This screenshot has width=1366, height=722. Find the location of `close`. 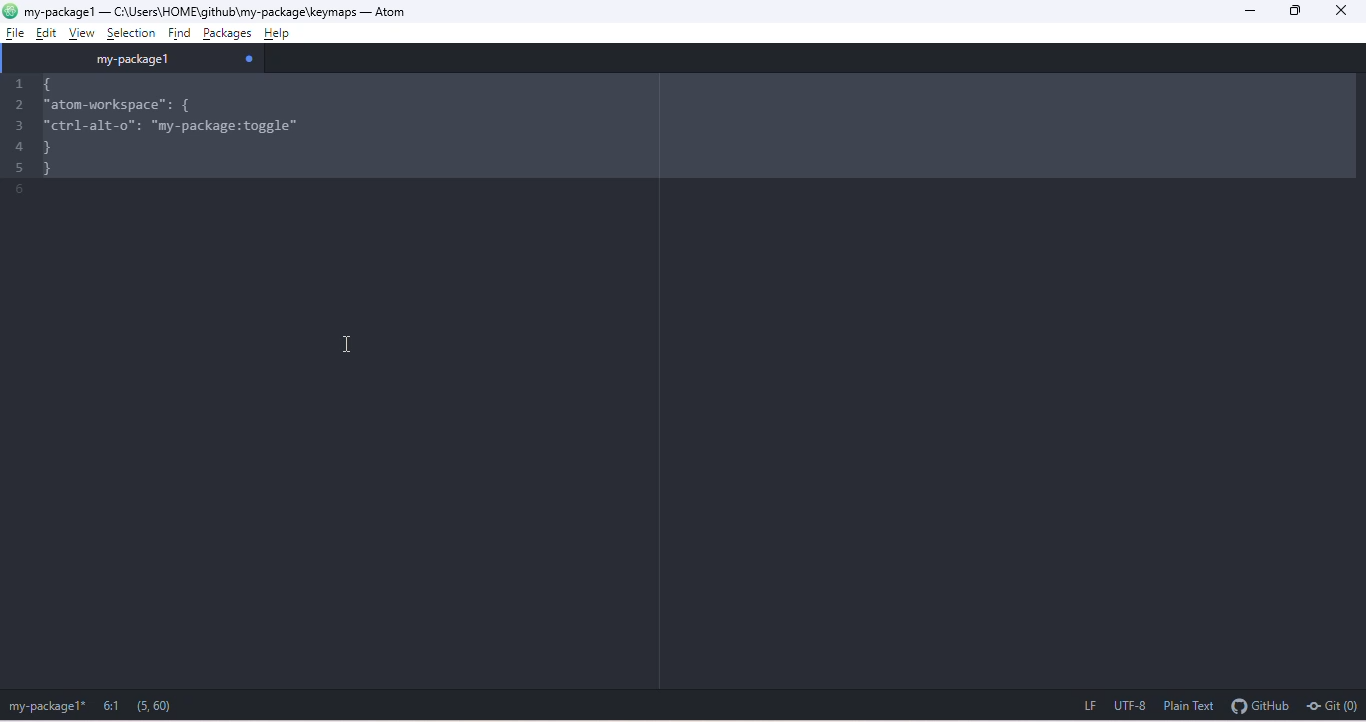

close is located at coordinates (1348, 12).